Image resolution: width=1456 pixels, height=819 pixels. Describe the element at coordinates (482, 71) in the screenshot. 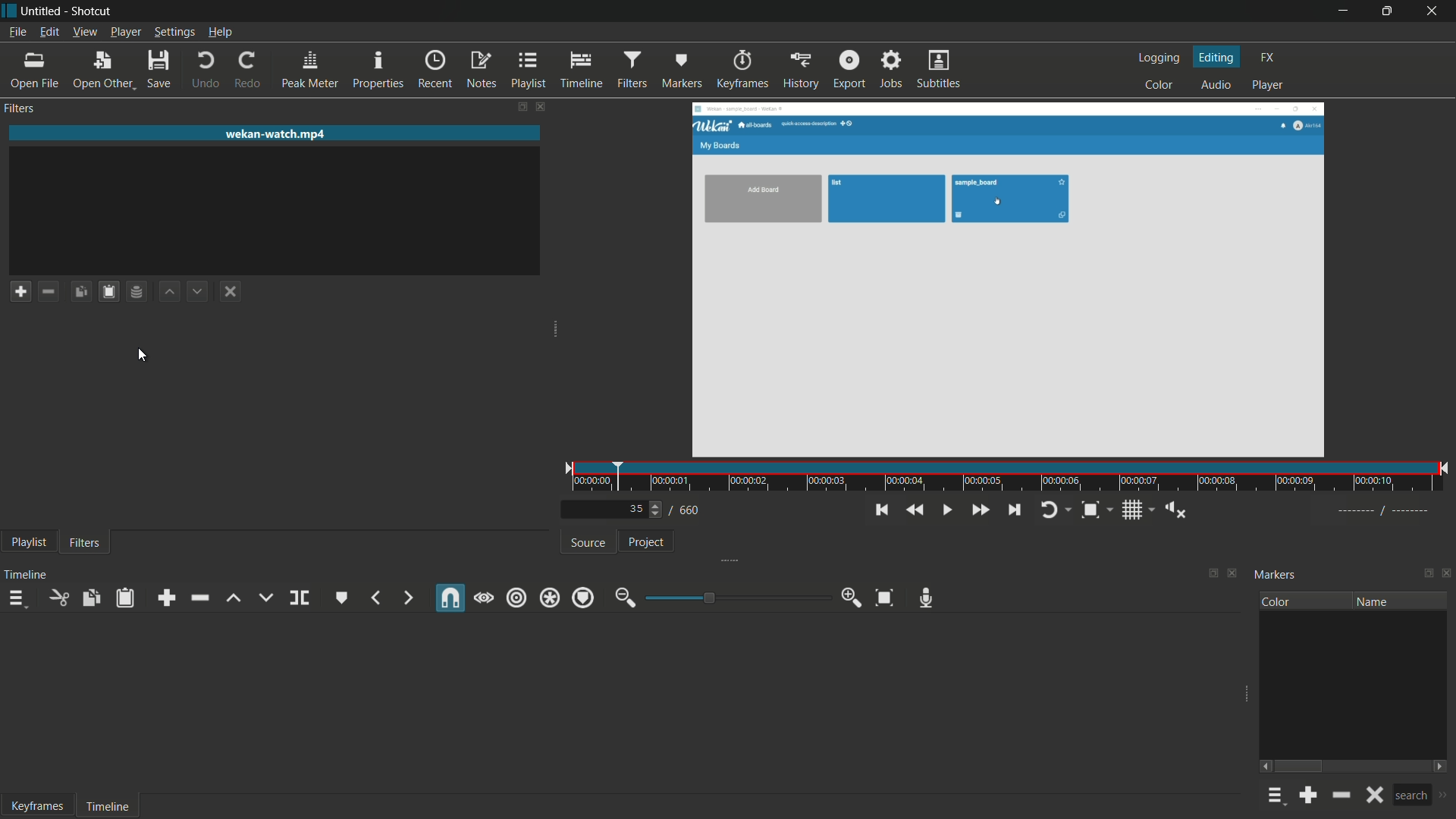

I see `notes` at that location.